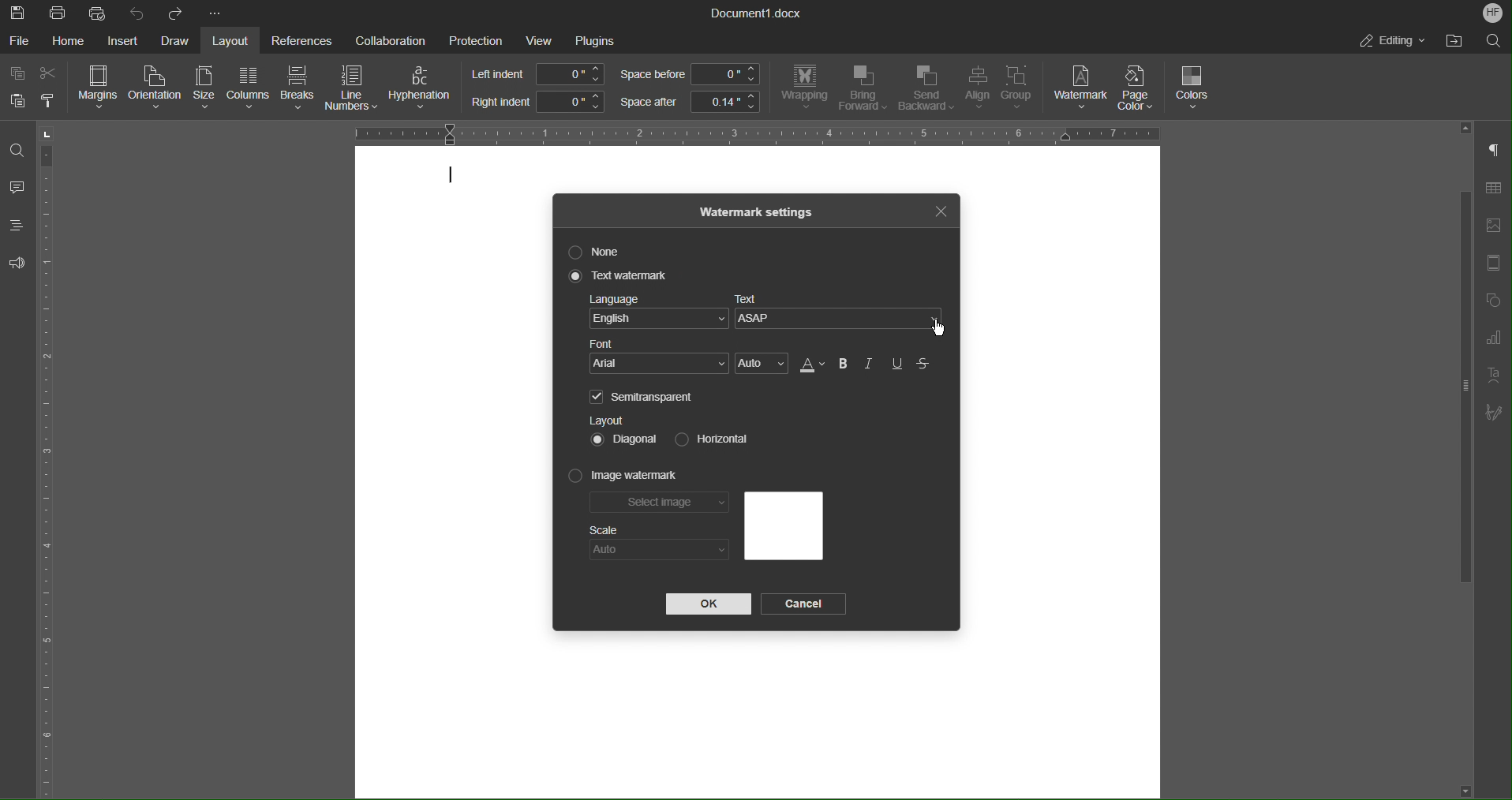  I want to click on Strikethrough, so click(925, 364).